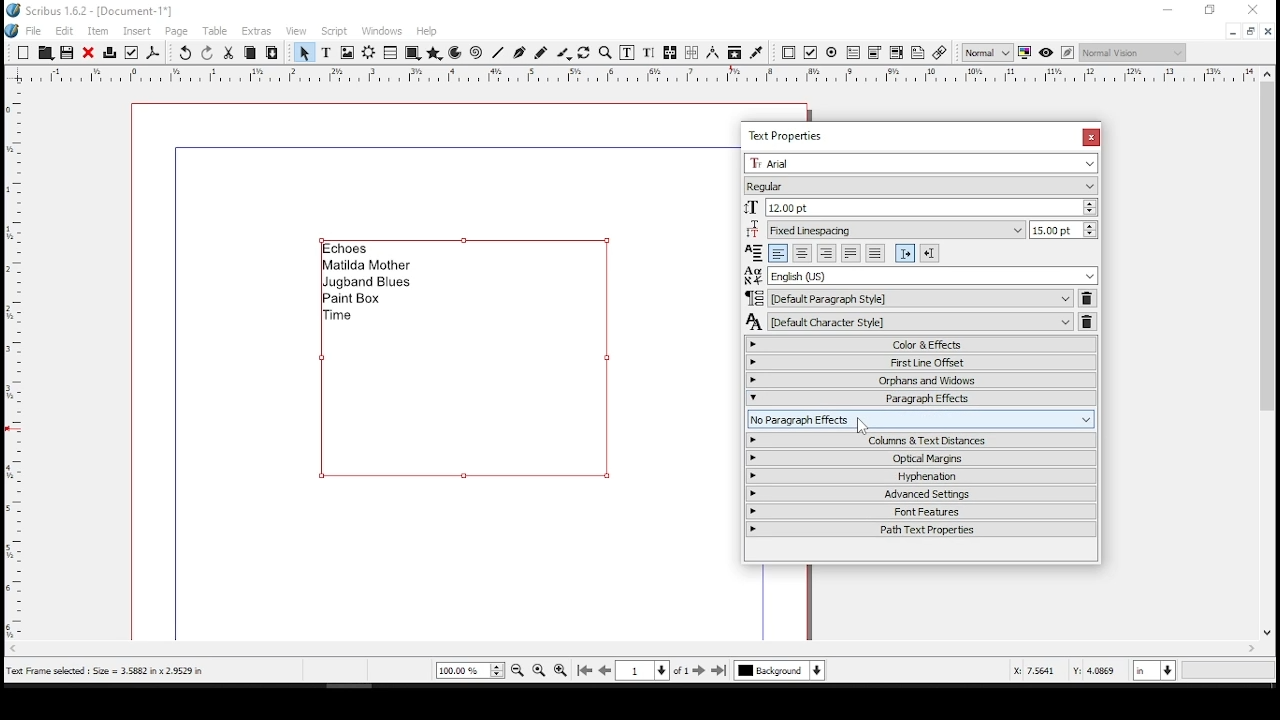  I want to click on pdf combo box, so click(874, 54).